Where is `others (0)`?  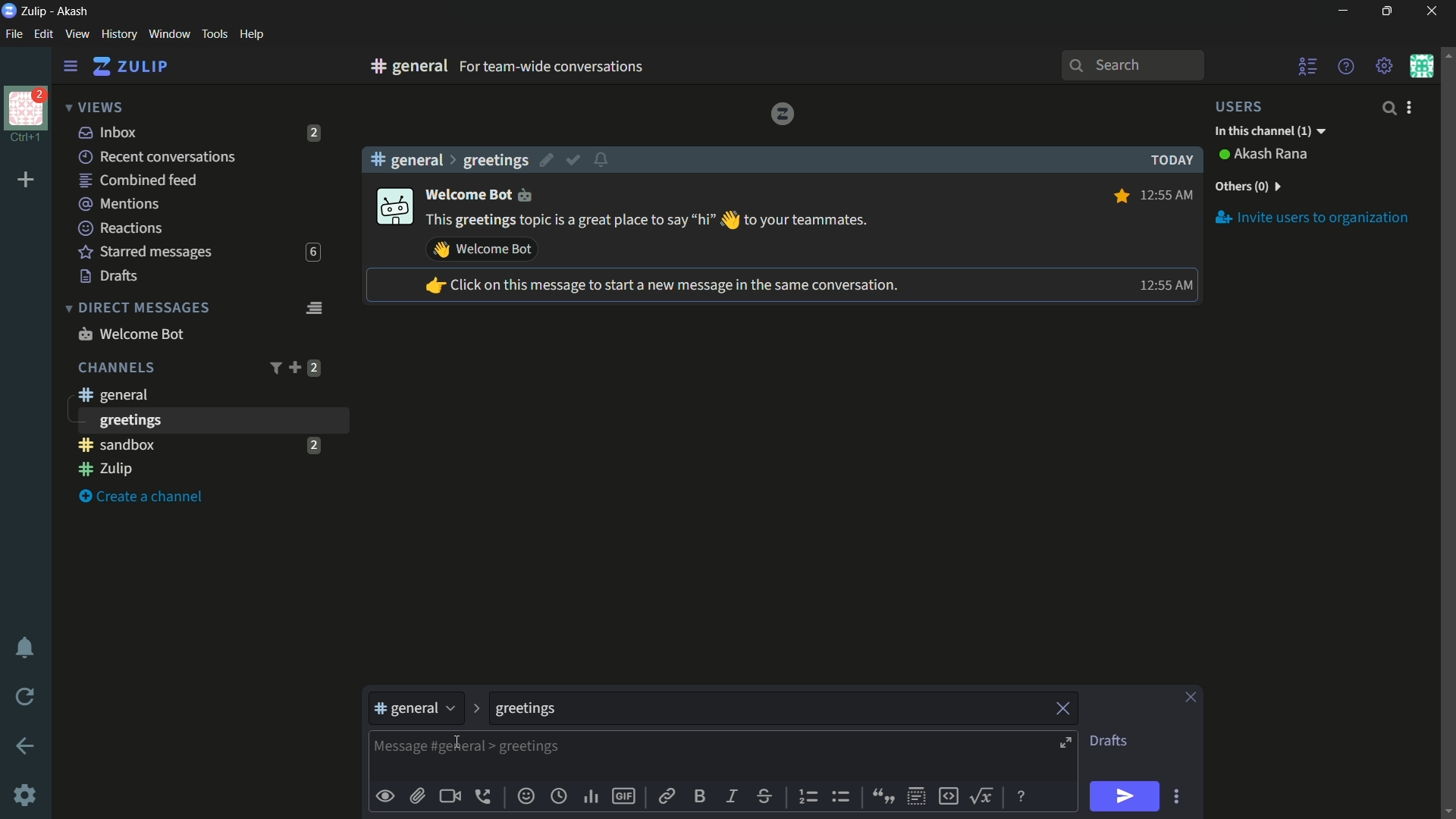
others (0) is located at coordinates (1247, 187).